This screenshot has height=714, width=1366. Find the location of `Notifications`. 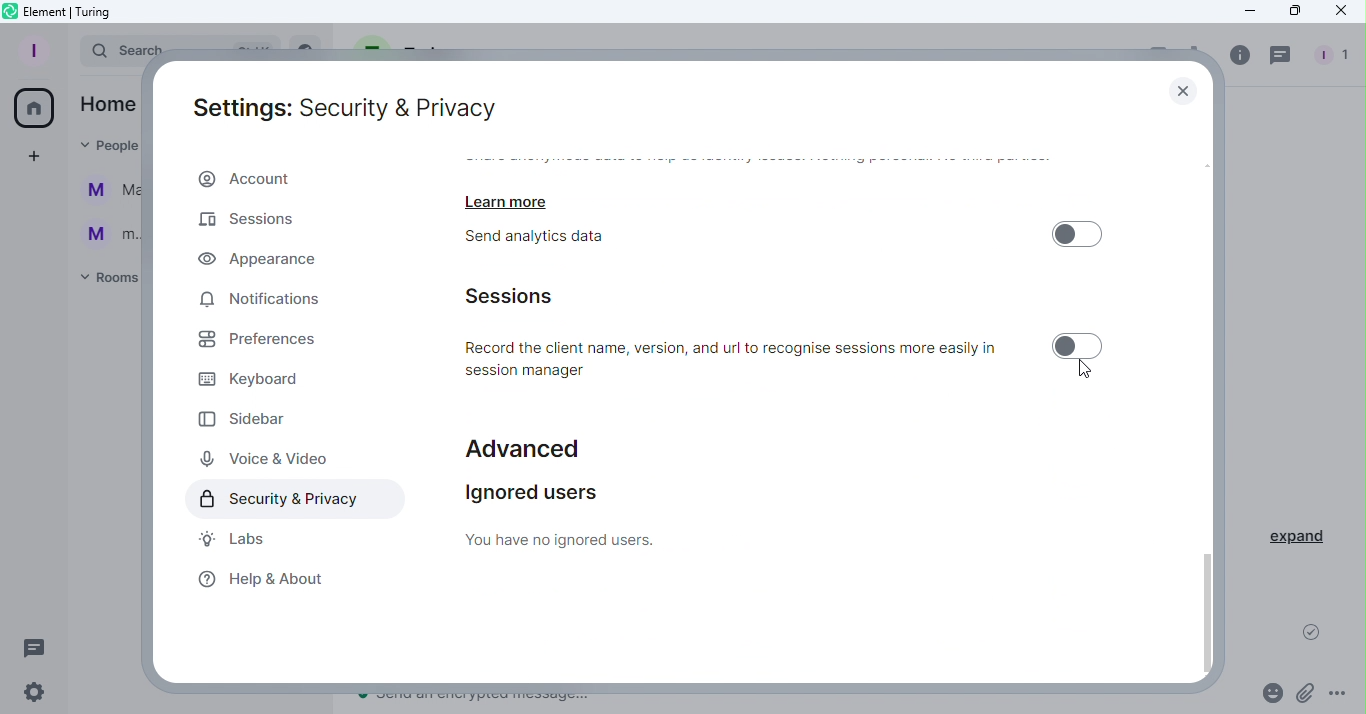

Notifications is located at coordinates (262, 301).